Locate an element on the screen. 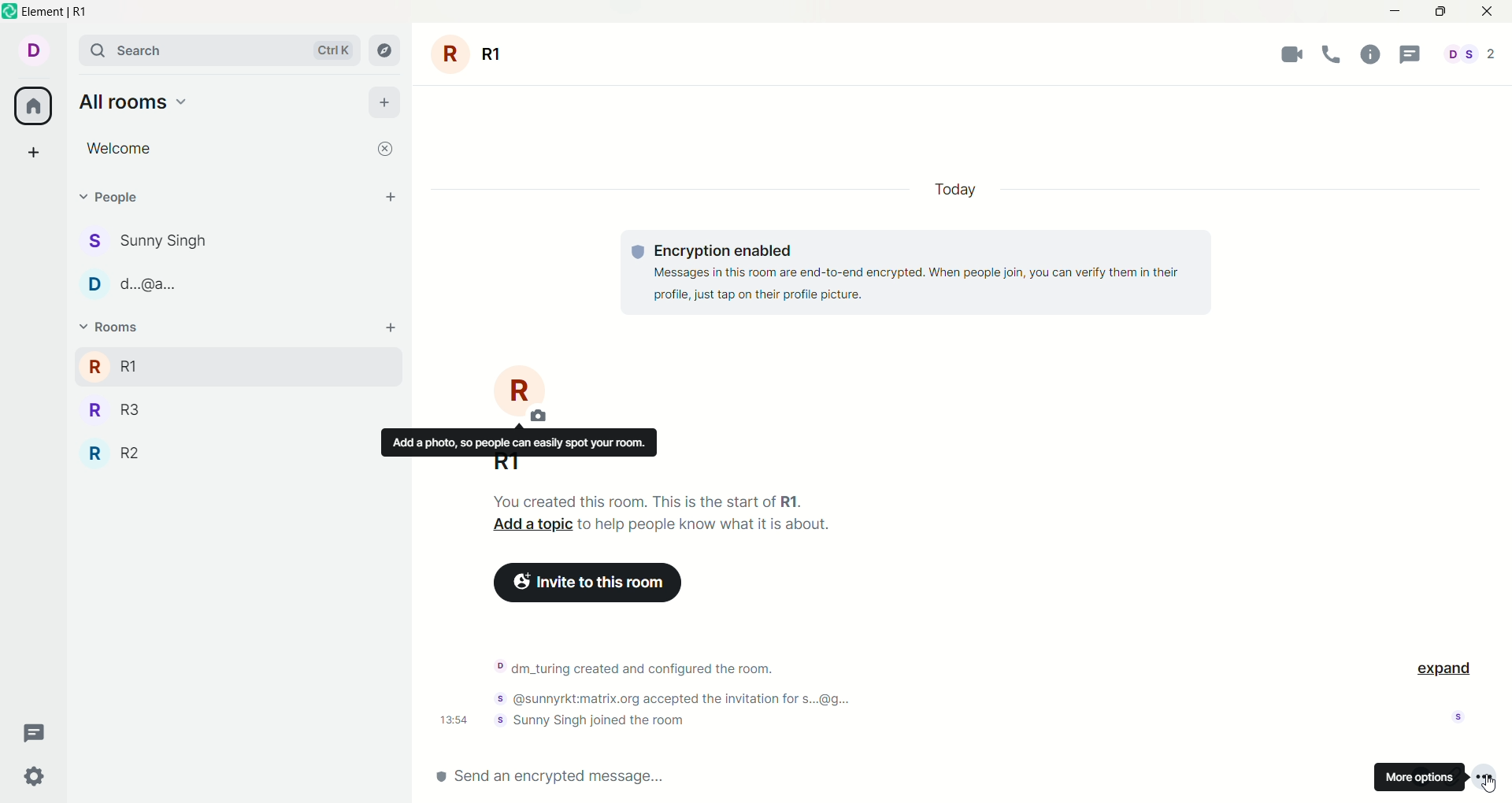 Image resolution: width=1512 pixels, height=803 pixels. account is located at coordinates (33, 50).